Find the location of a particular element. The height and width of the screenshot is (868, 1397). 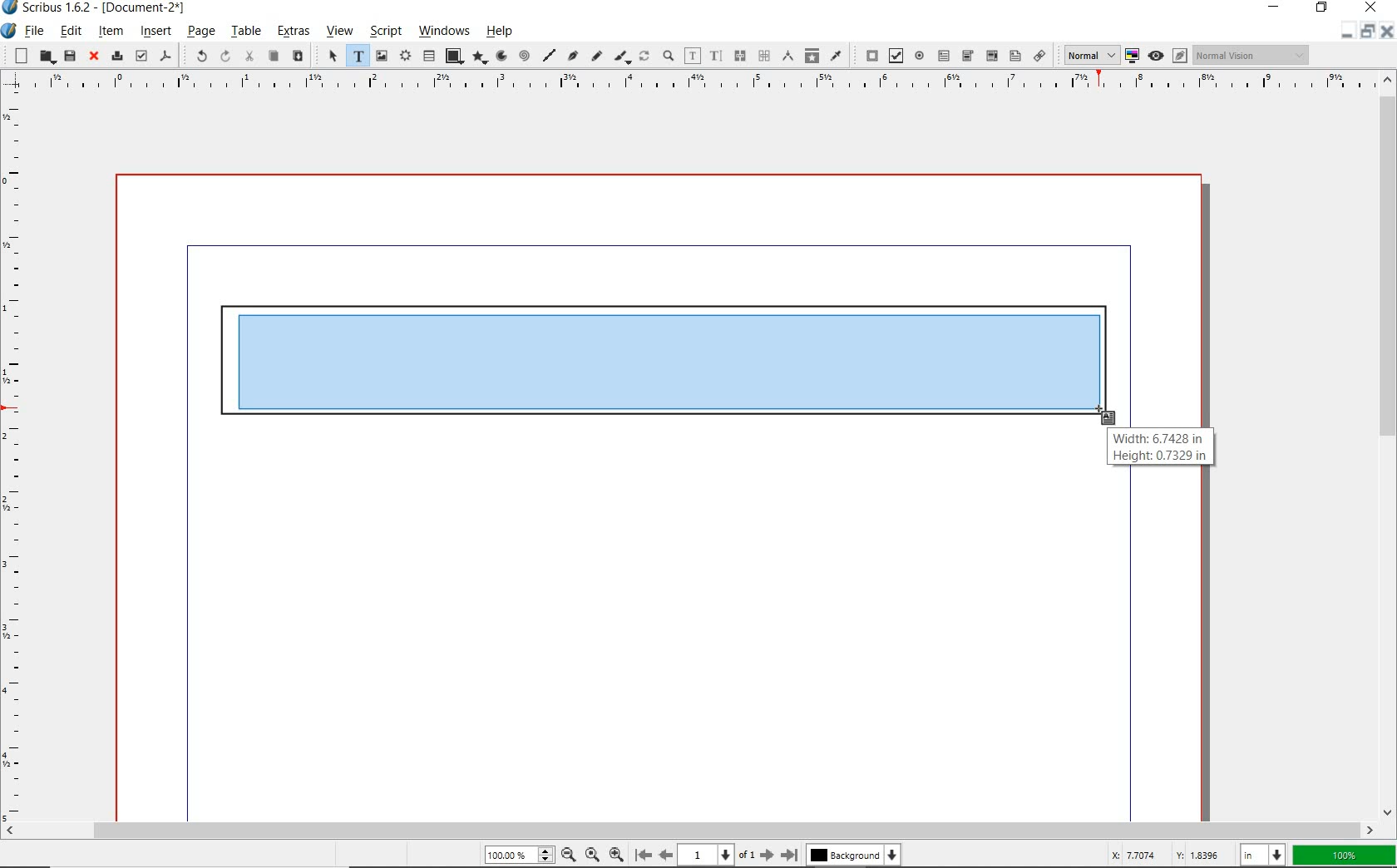

toggle color is located at coordinates (1130, 57).